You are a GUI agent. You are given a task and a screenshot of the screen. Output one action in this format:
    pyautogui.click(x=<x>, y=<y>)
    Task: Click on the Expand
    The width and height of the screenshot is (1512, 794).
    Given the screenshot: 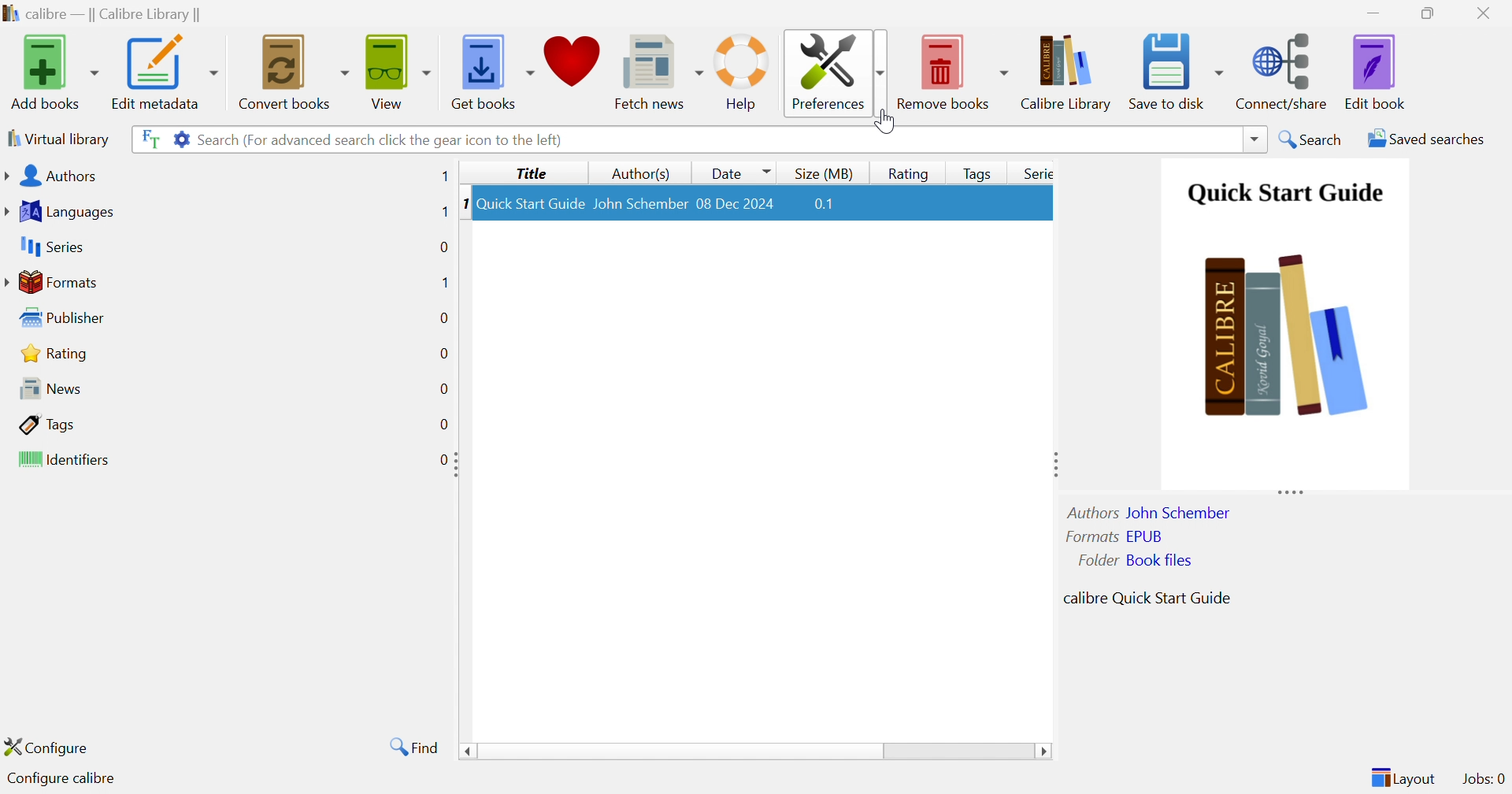 What is the action you would take?
    pyautogui.click(x=459, y=465)
    